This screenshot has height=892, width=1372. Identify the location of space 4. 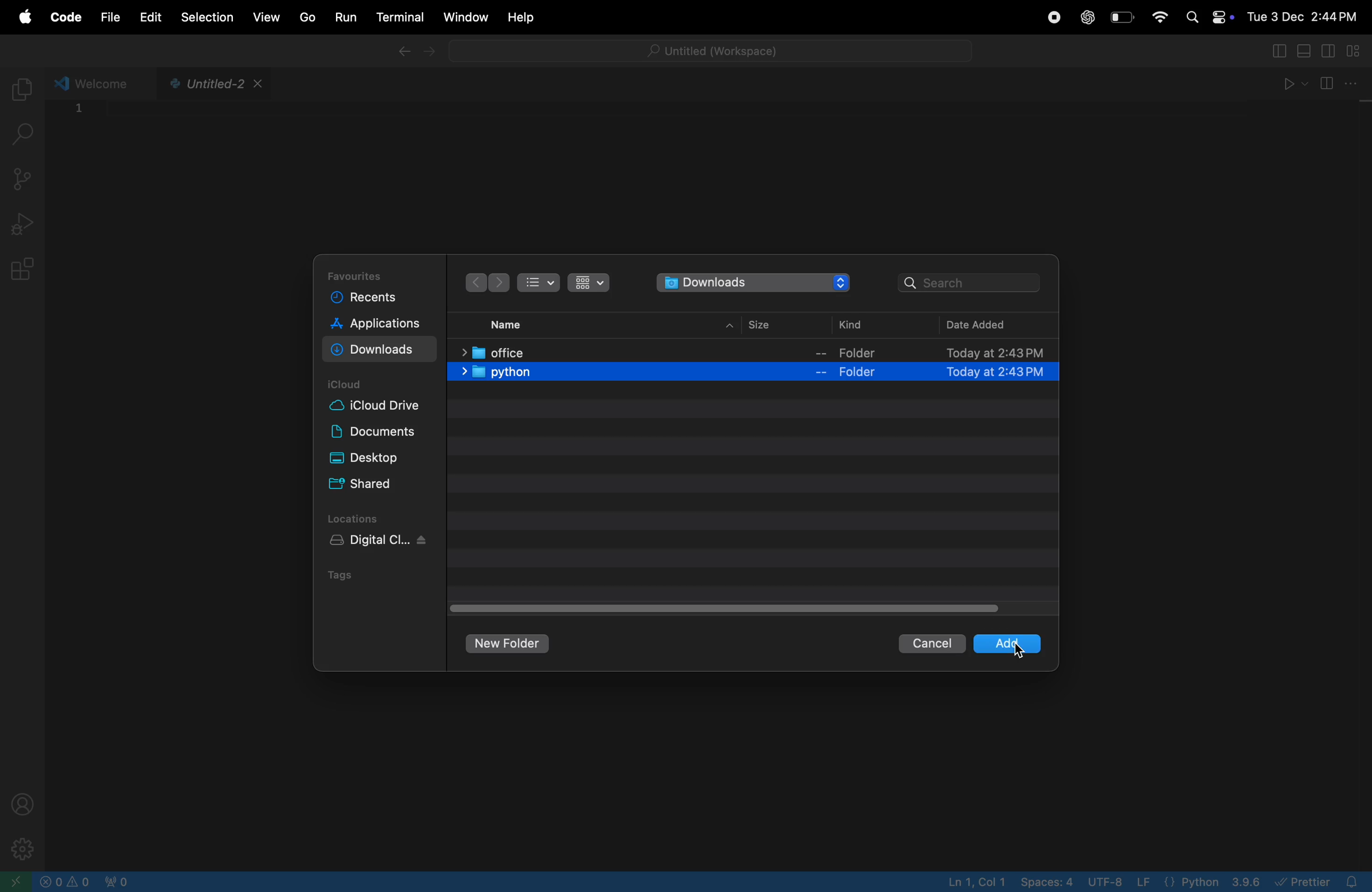
(1048, 882).